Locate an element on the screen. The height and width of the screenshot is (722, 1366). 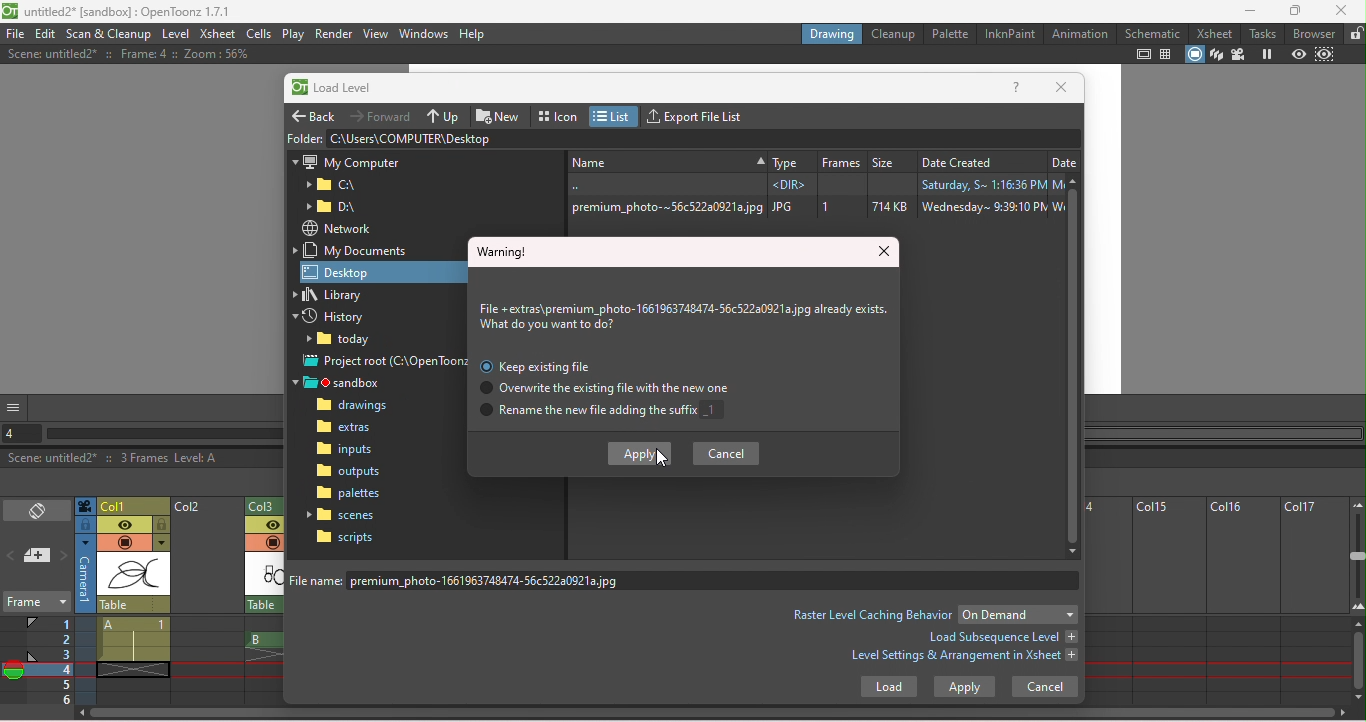
column 17 is located at coordinates (1314, 601).